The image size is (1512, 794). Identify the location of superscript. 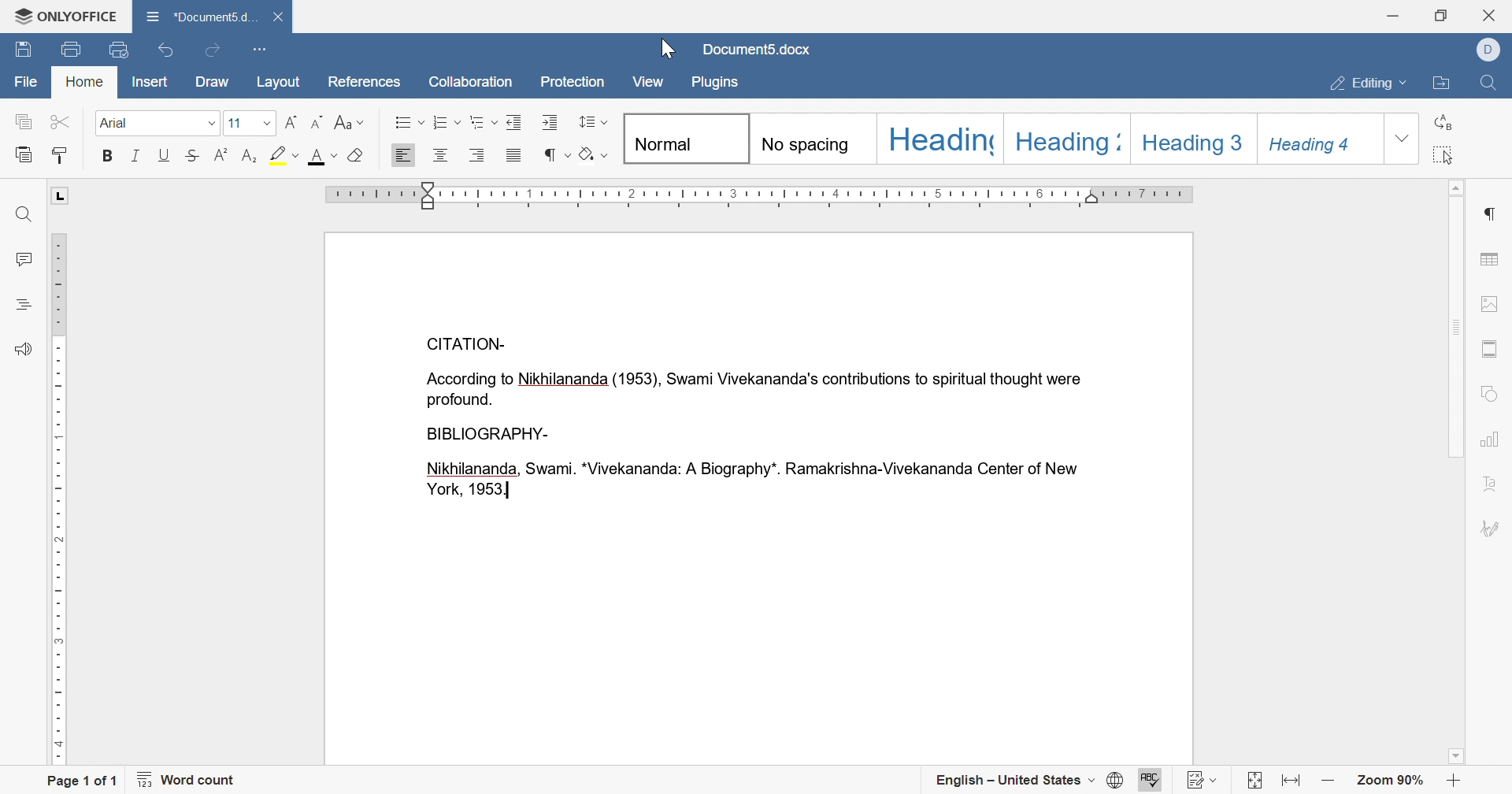
(221, 154).